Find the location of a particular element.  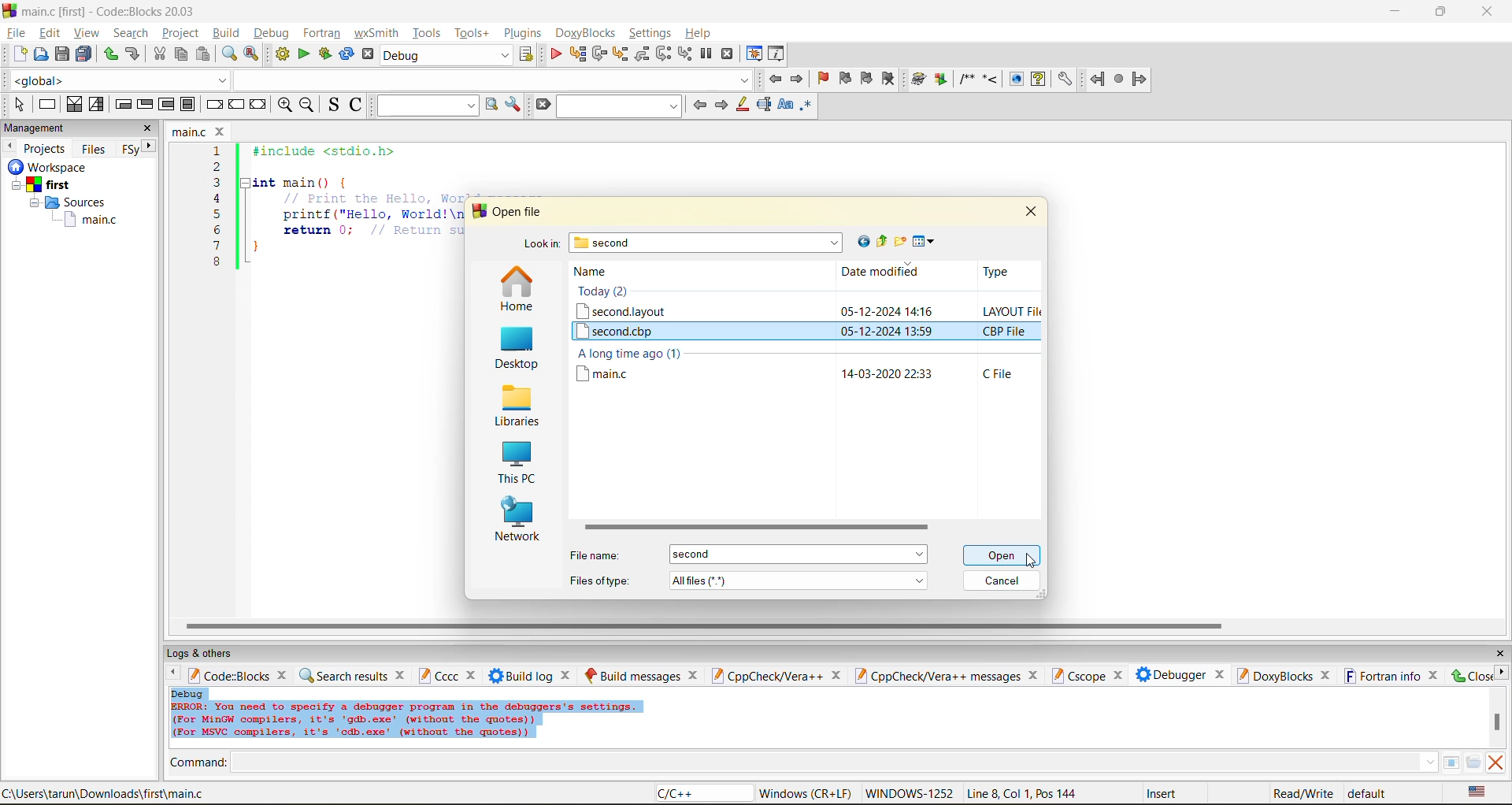

default is located at coordinates (1369, 792).